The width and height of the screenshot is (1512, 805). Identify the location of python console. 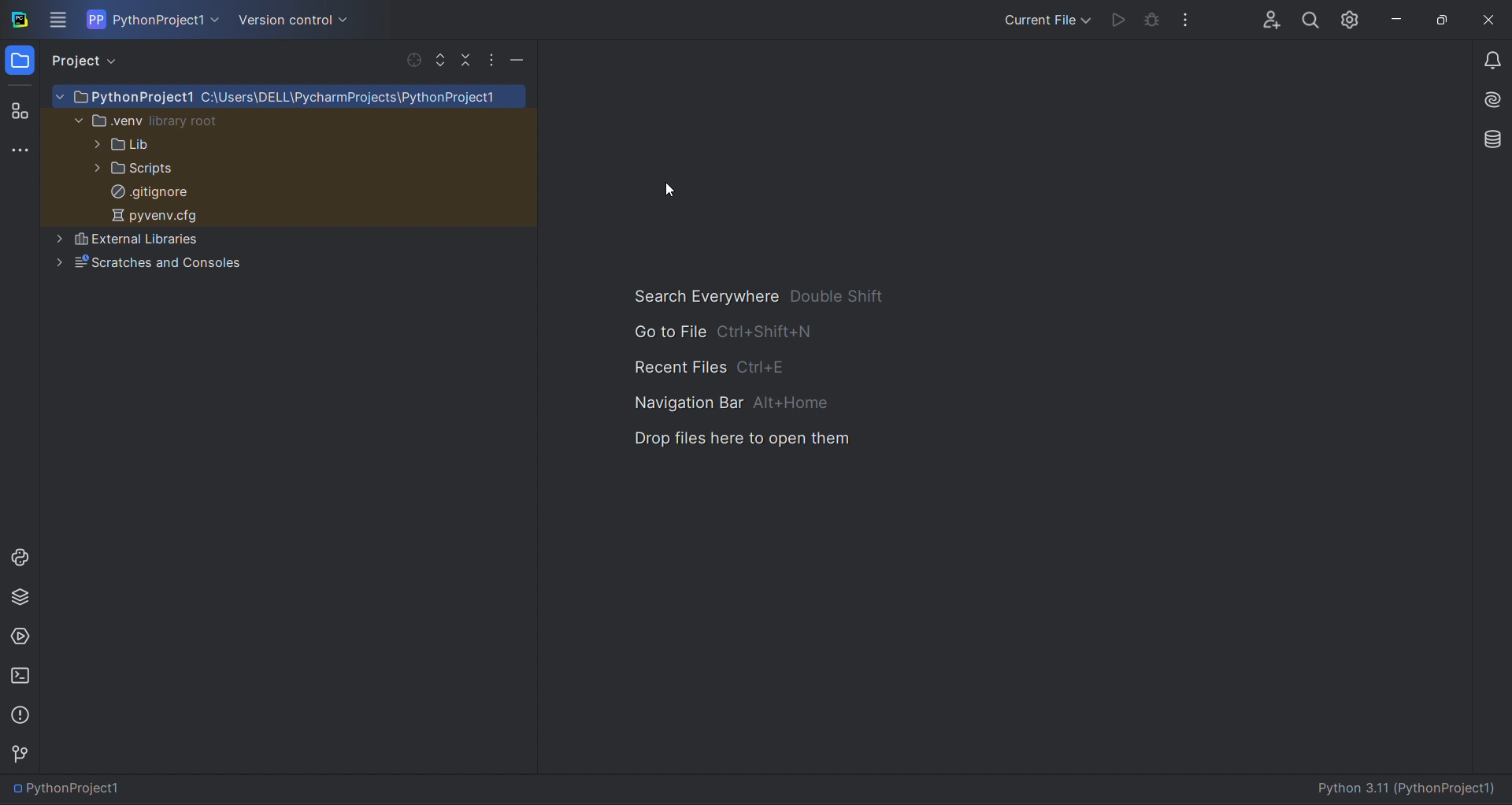
(20, 558).